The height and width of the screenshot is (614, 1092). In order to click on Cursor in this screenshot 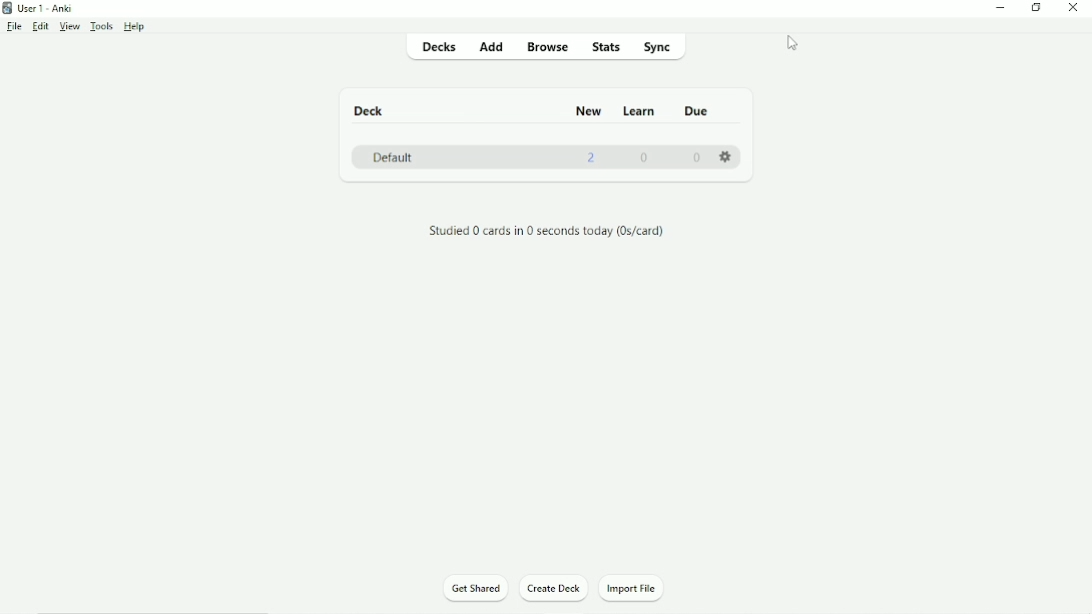, I will do `click(795, 44)`.